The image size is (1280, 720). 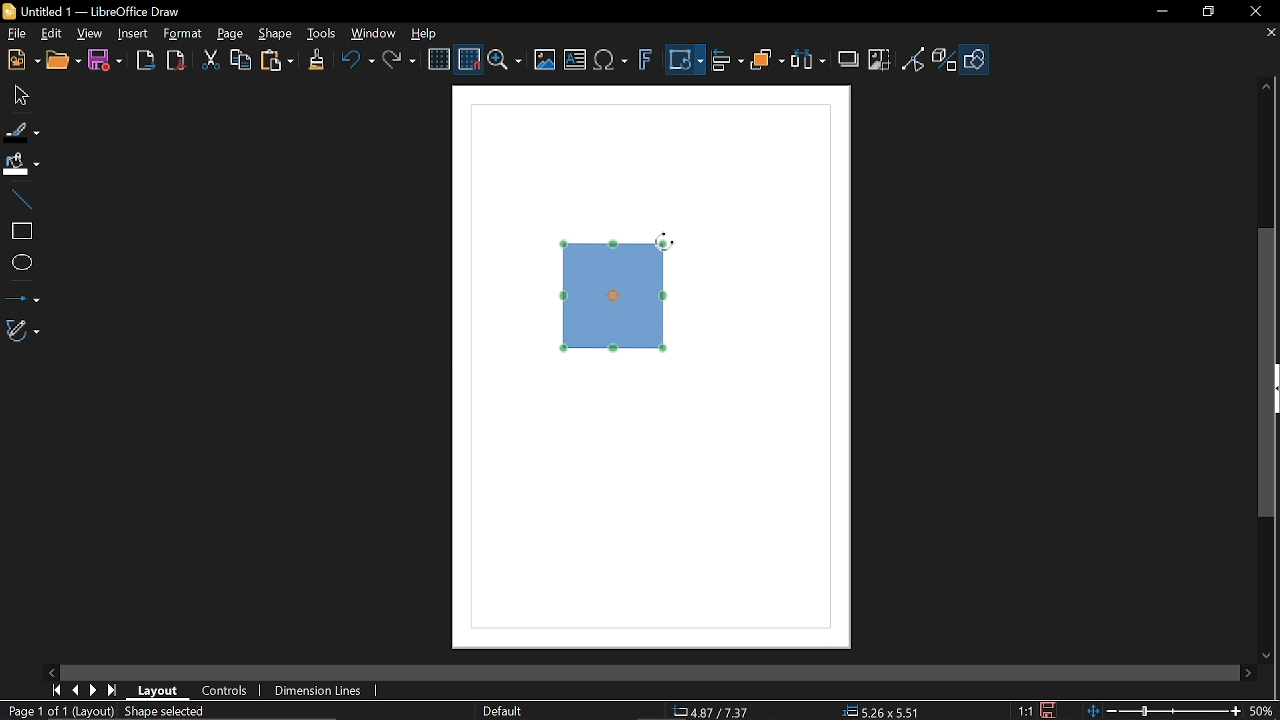 I want to click on Previous page, so click(x=75, y=689).